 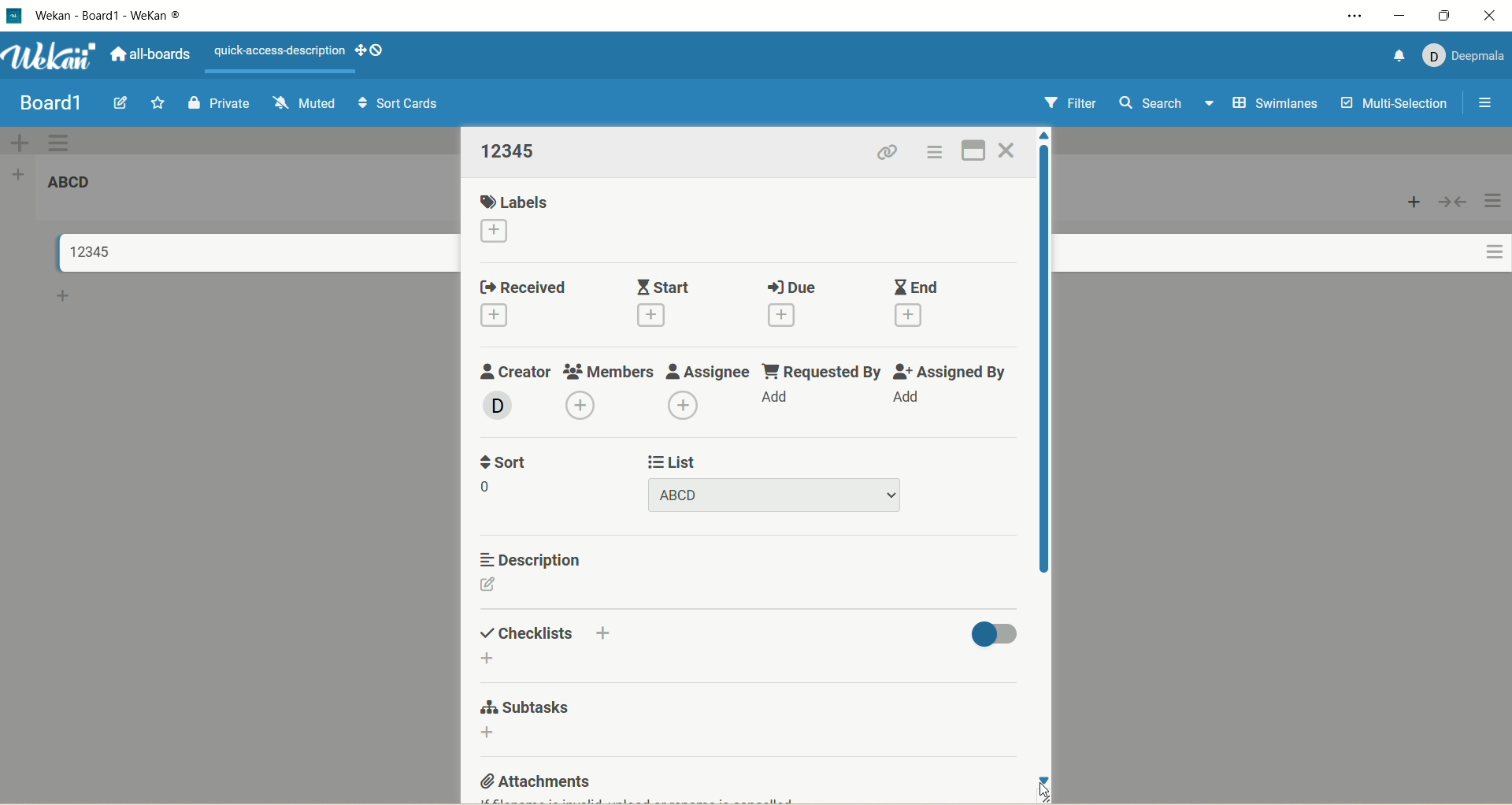 I want to click on sort, so click(x=506, y=463).